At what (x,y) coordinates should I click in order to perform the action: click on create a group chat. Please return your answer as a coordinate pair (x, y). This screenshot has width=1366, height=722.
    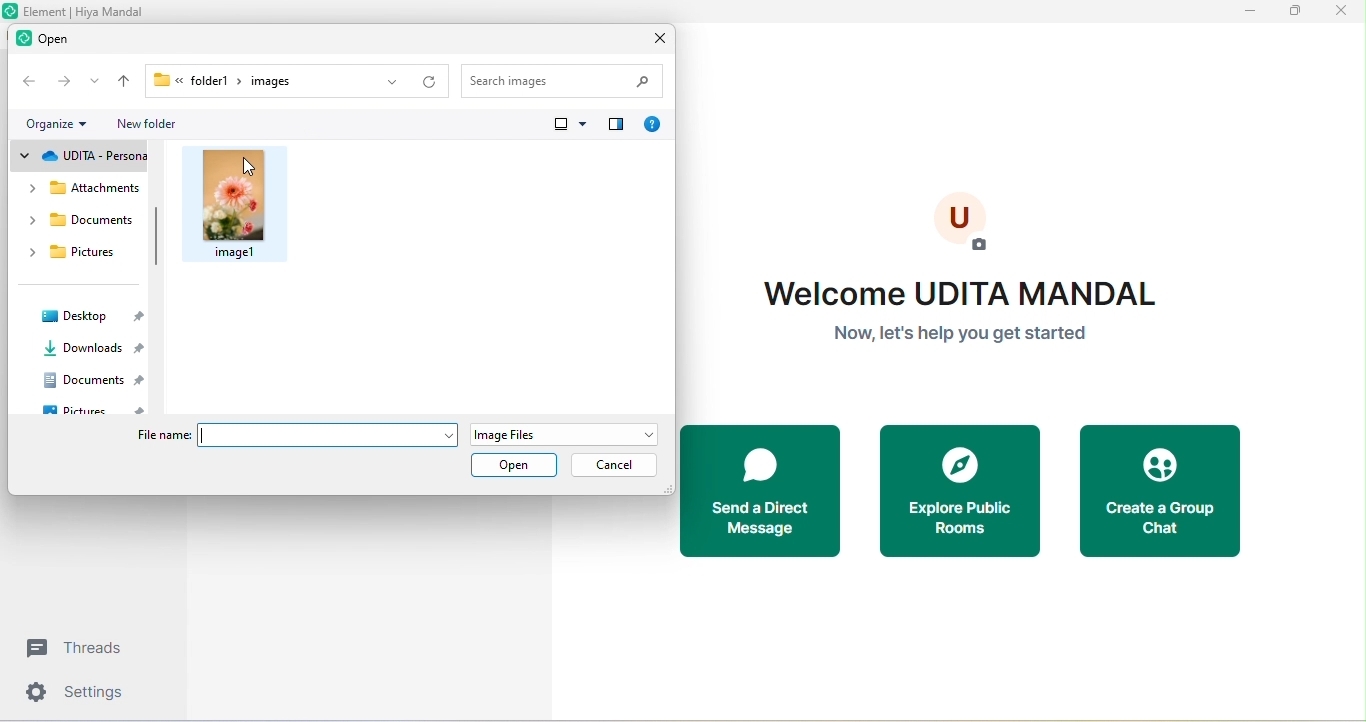
    Looking at the image, I should click on (1168, 491).